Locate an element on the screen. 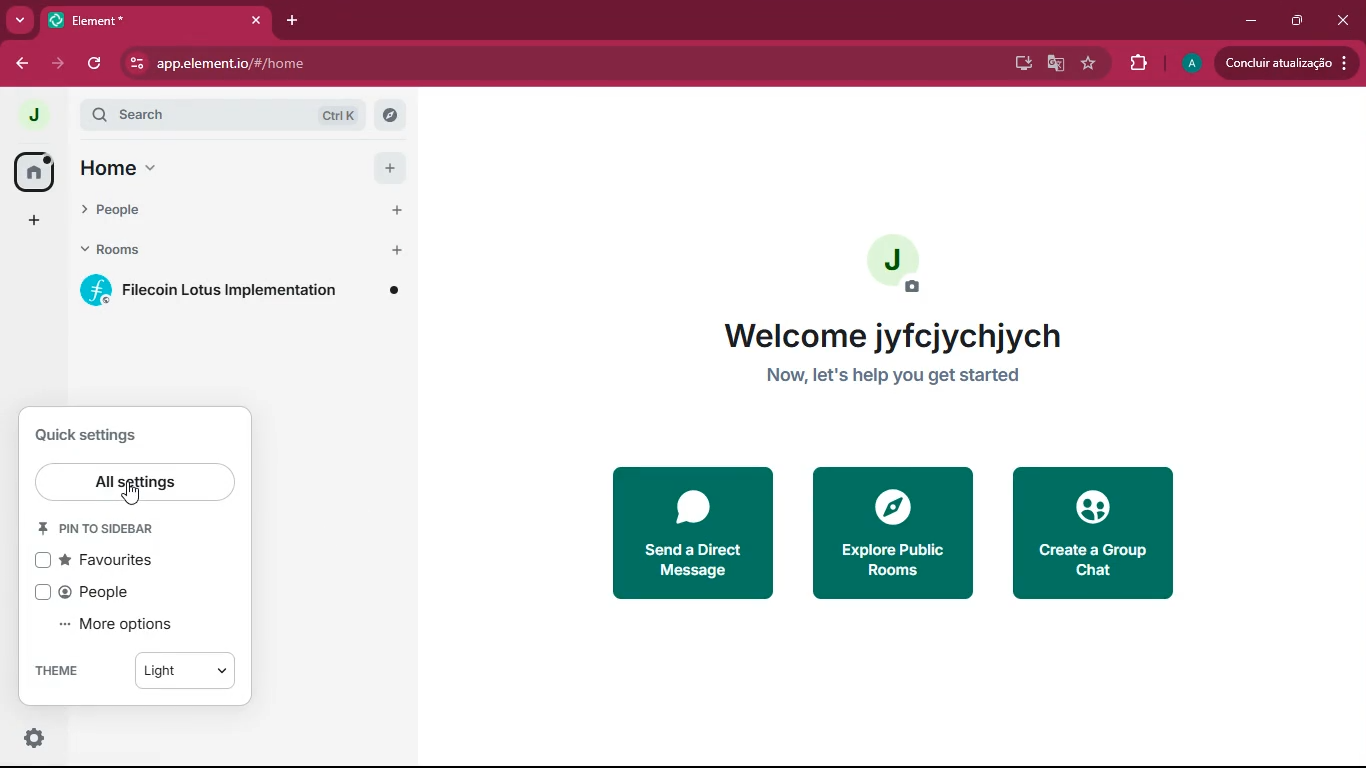 This screenshot has width=1366, height=768. explore public rooms is located at coordinates (893, 532).